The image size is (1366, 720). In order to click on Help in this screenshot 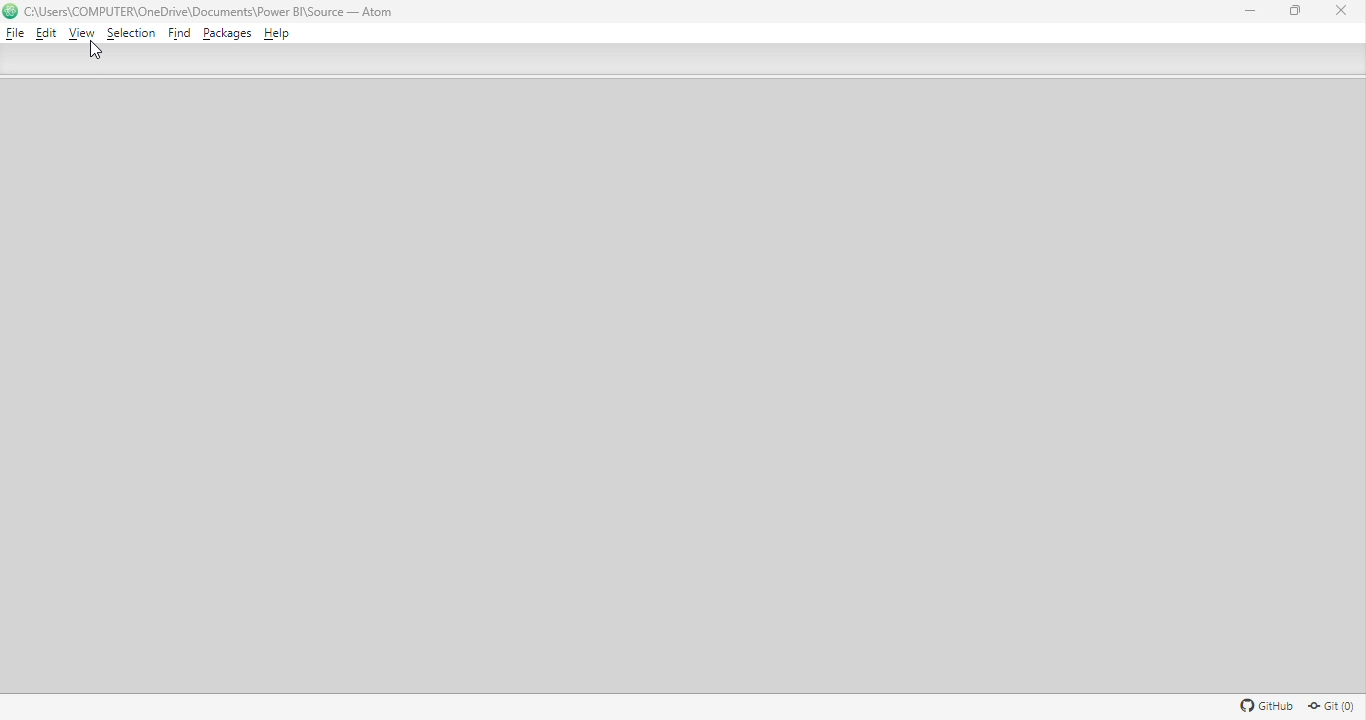, I will do `click(278, 34)`.